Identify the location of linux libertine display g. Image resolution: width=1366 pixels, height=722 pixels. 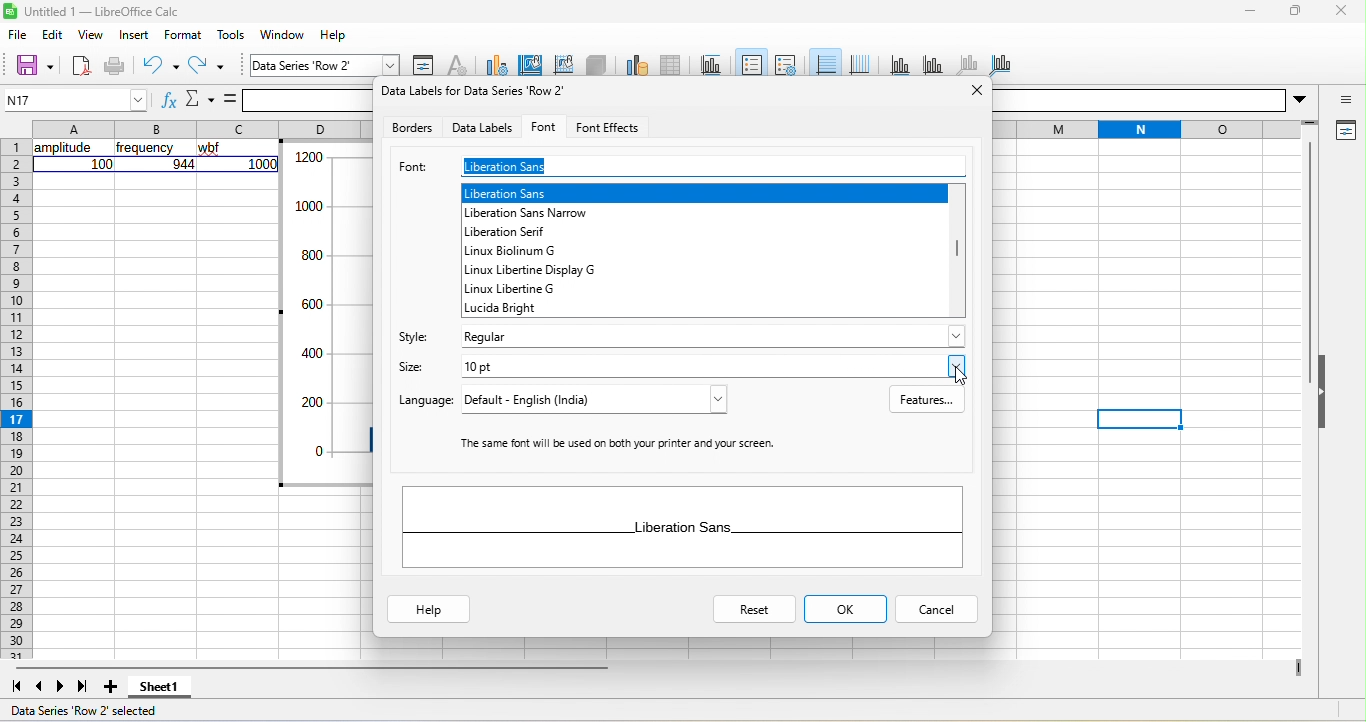
(533, 270).